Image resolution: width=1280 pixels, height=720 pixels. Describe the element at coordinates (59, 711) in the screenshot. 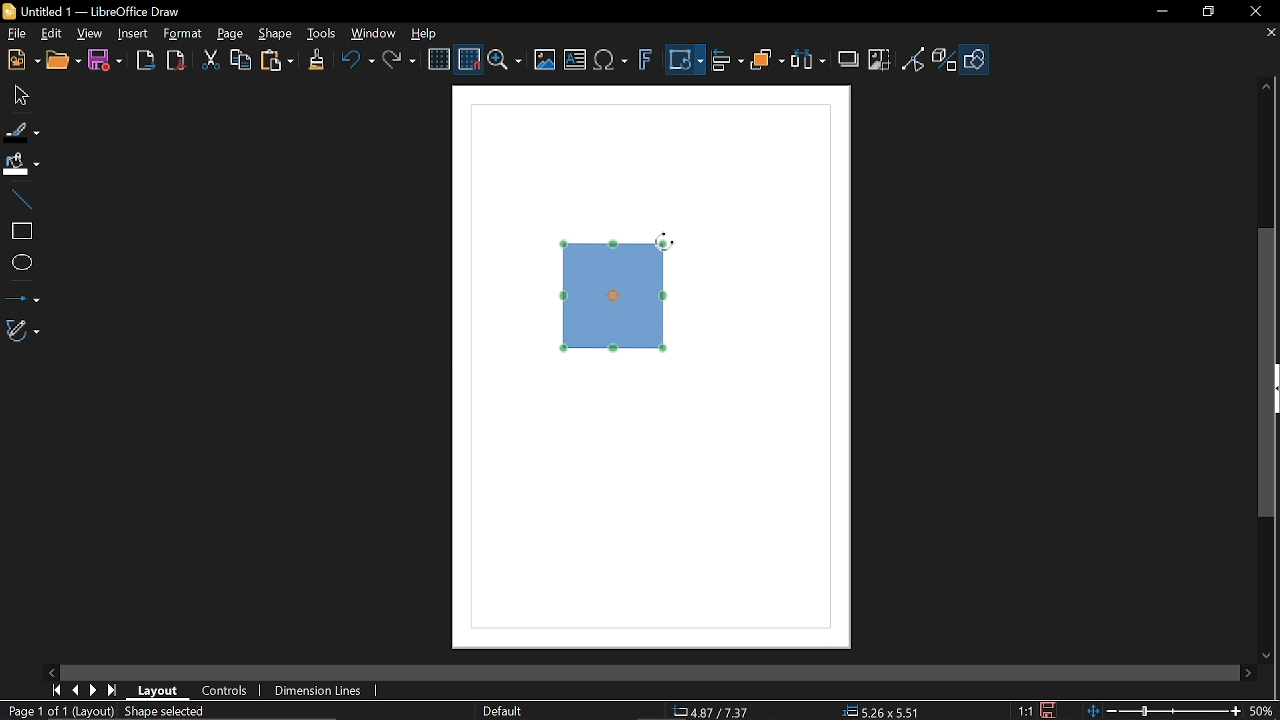

I see `Page 1 of 1 (Layout)` at that location.